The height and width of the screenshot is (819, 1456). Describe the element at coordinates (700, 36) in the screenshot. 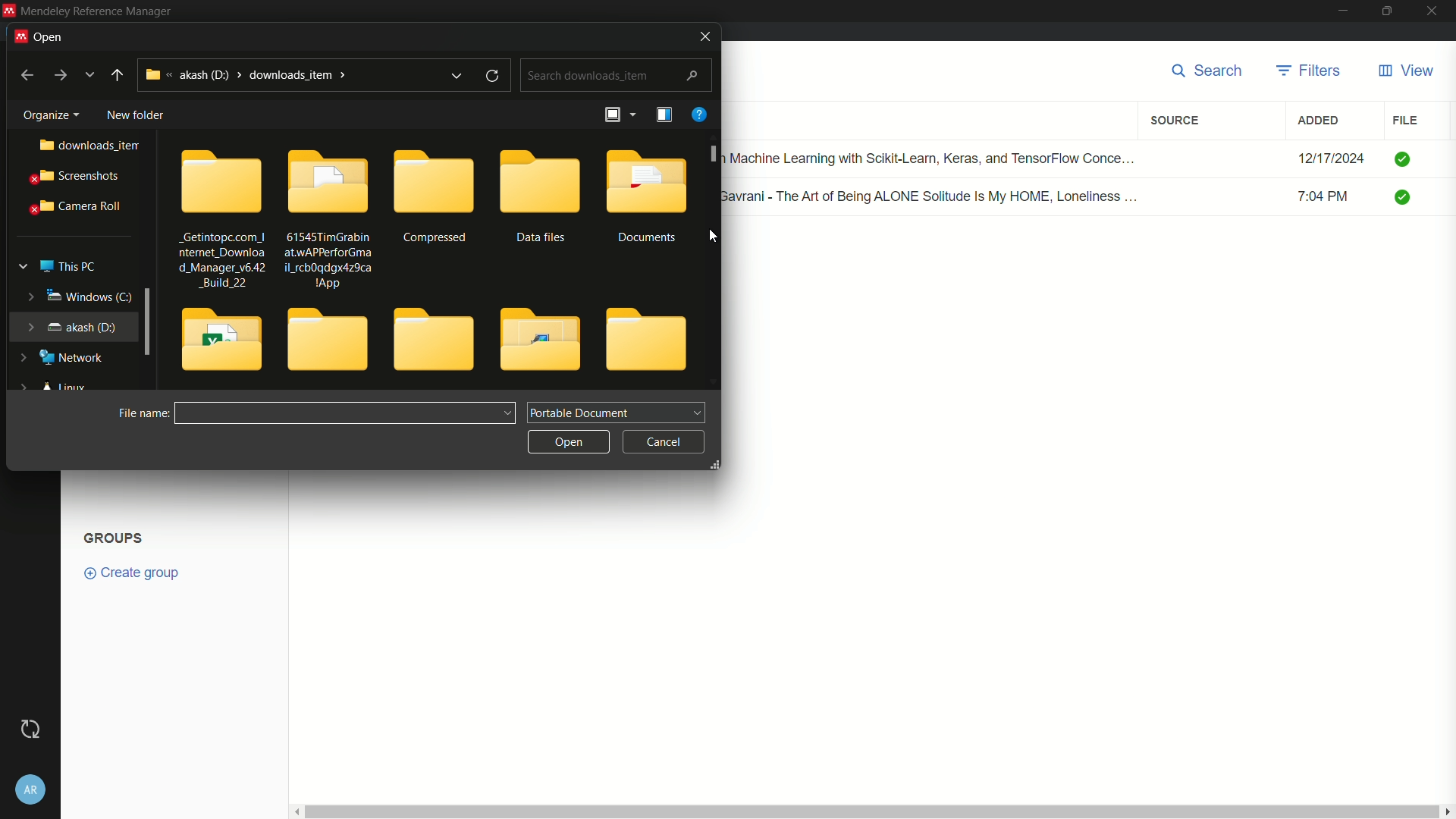

I see `close` at that location.